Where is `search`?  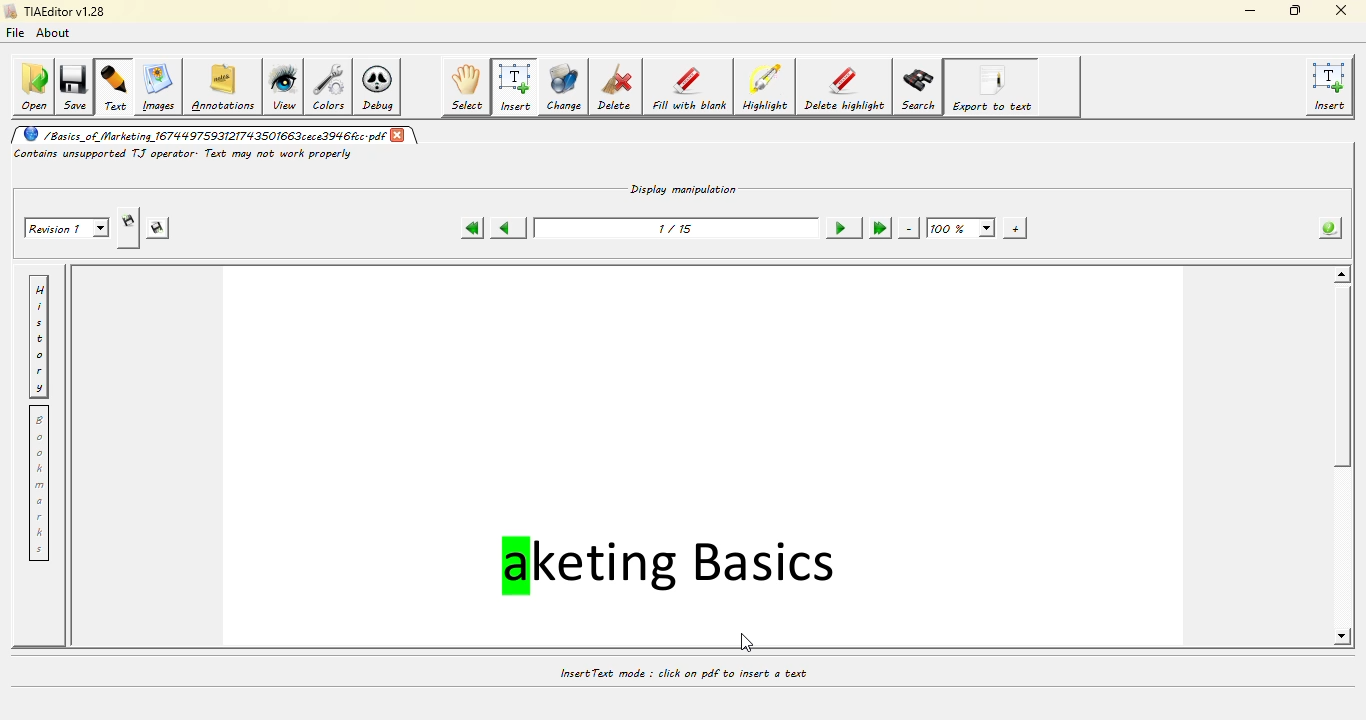 search is located at coordinates (919, 87).